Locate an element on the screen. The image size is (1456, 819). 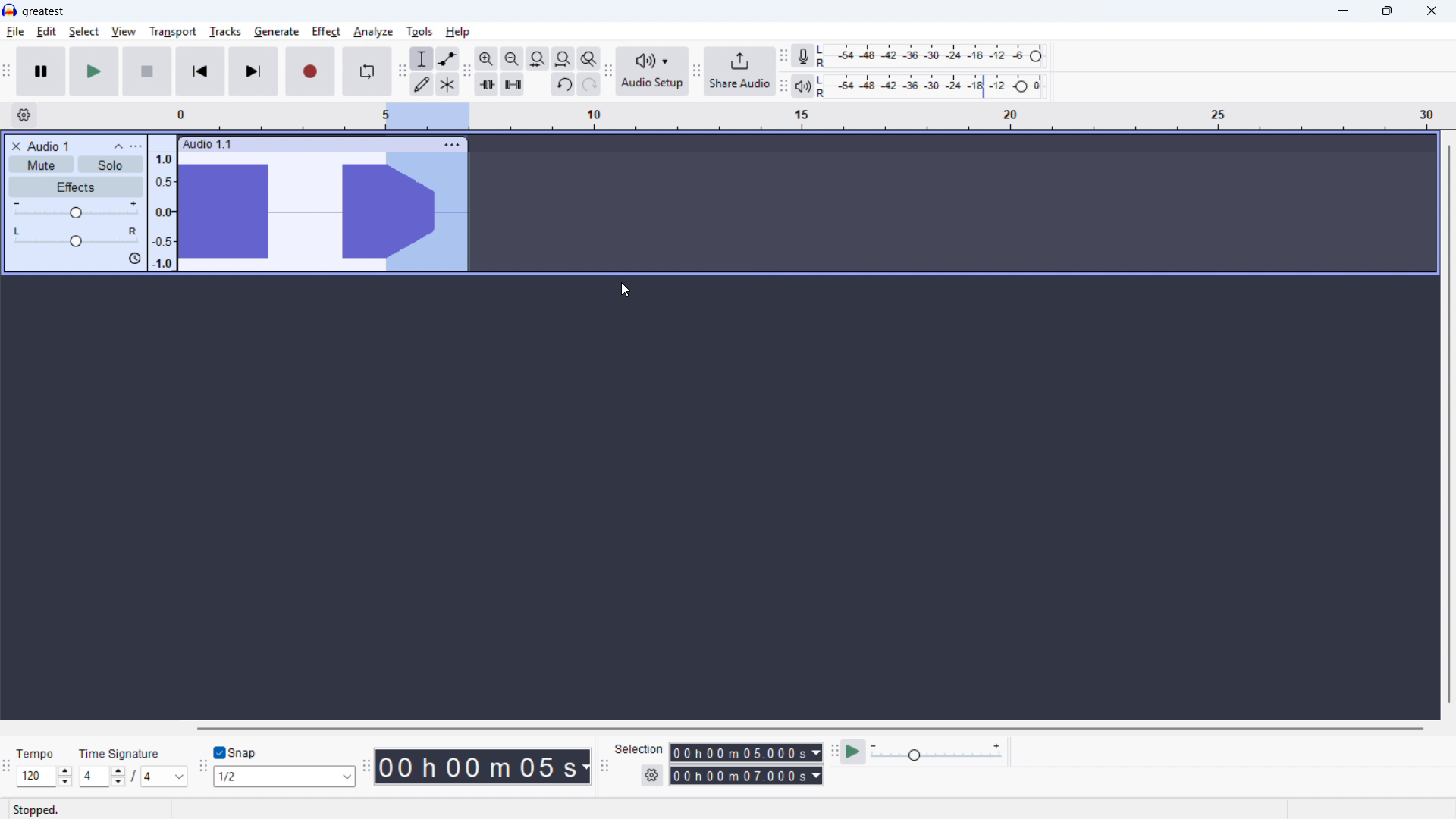
Edit toolbar  is located at coordinates (466, 71).